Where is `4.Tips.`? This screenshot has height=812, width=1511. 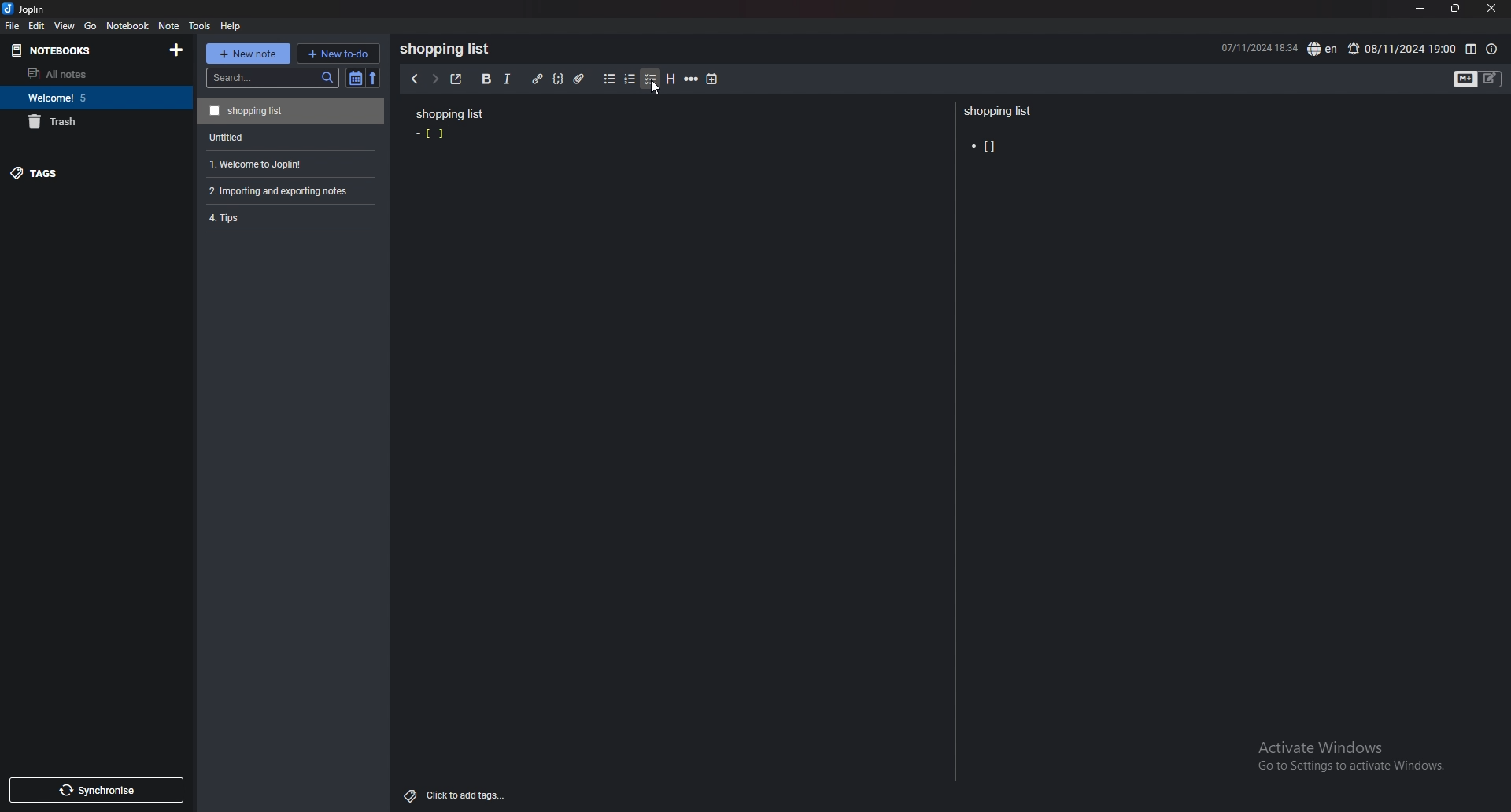
4.Tips. is located at coordinates (289, 217).